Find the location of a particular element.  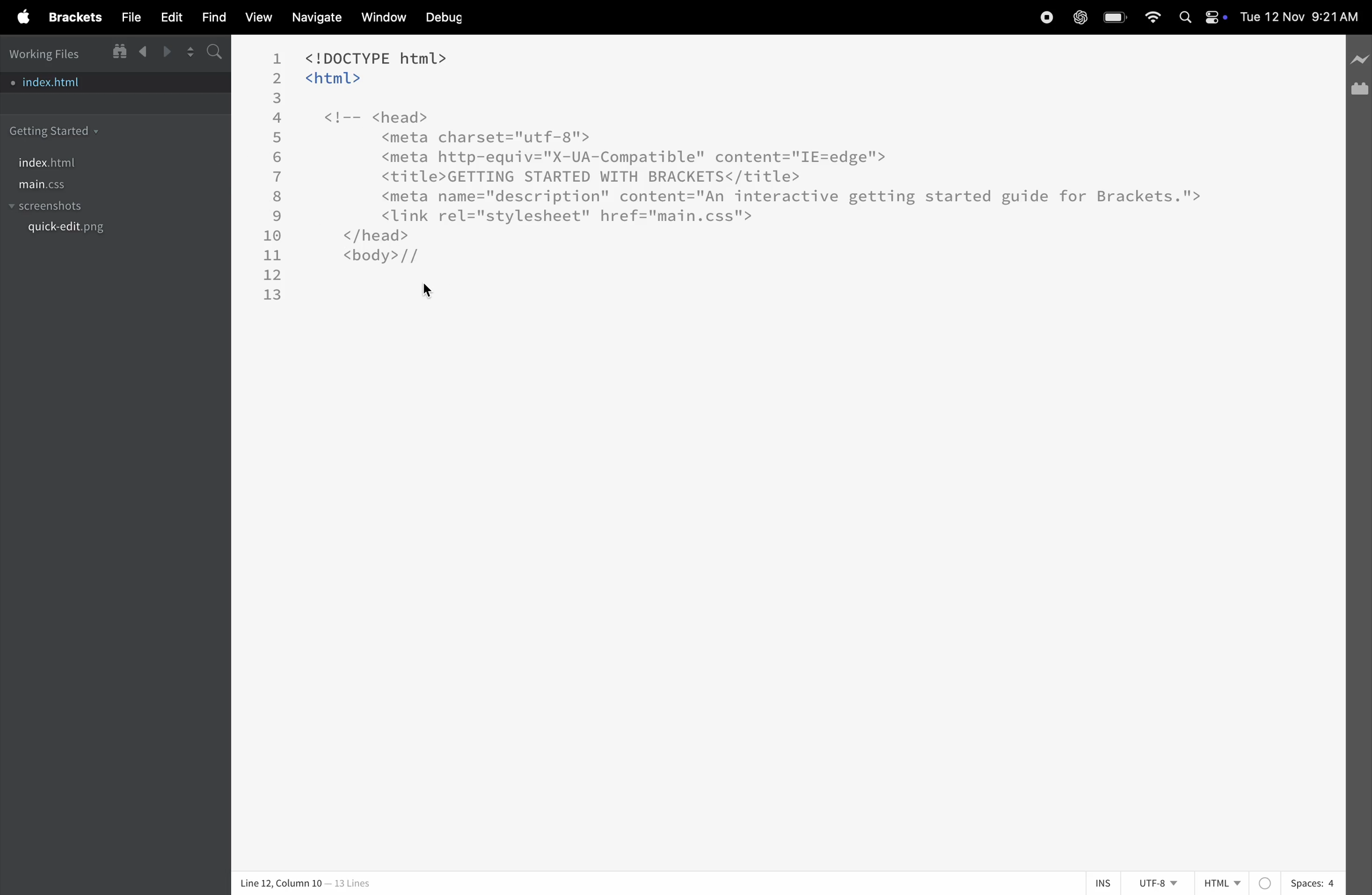

getting started is located at coordinates (64, 130).